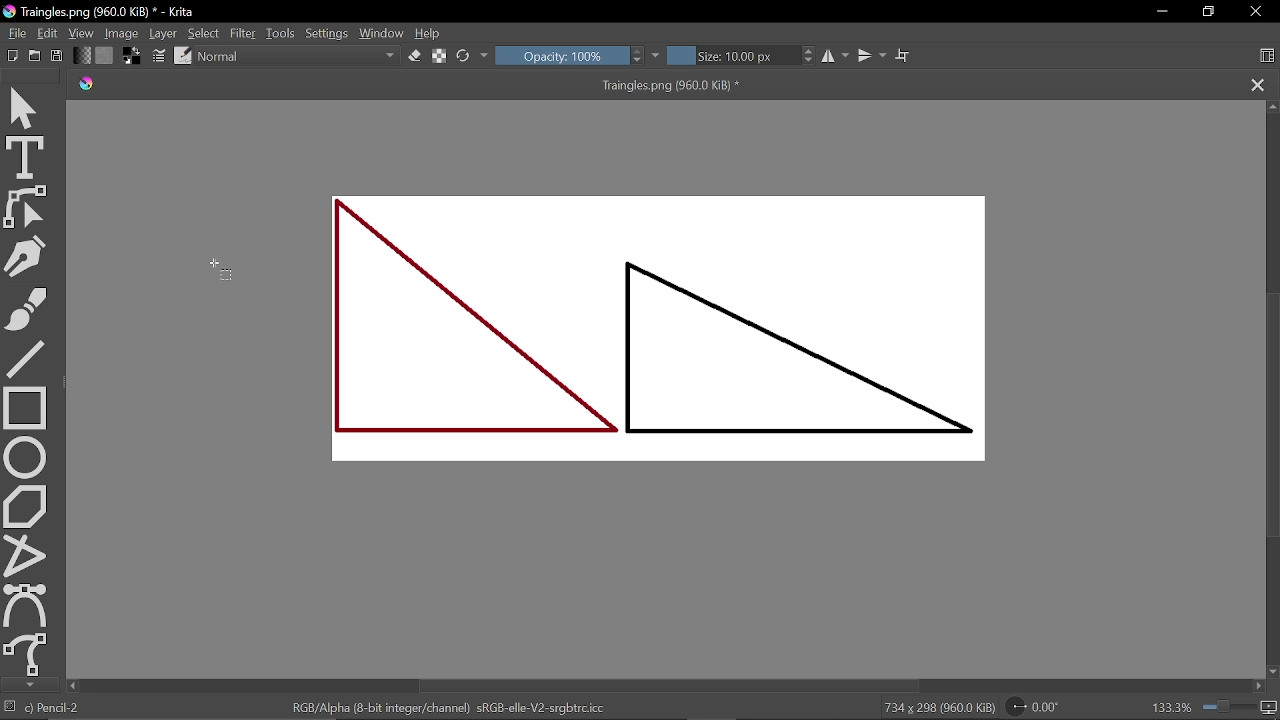  I want to click on 133.3%, so click(1215, 707).